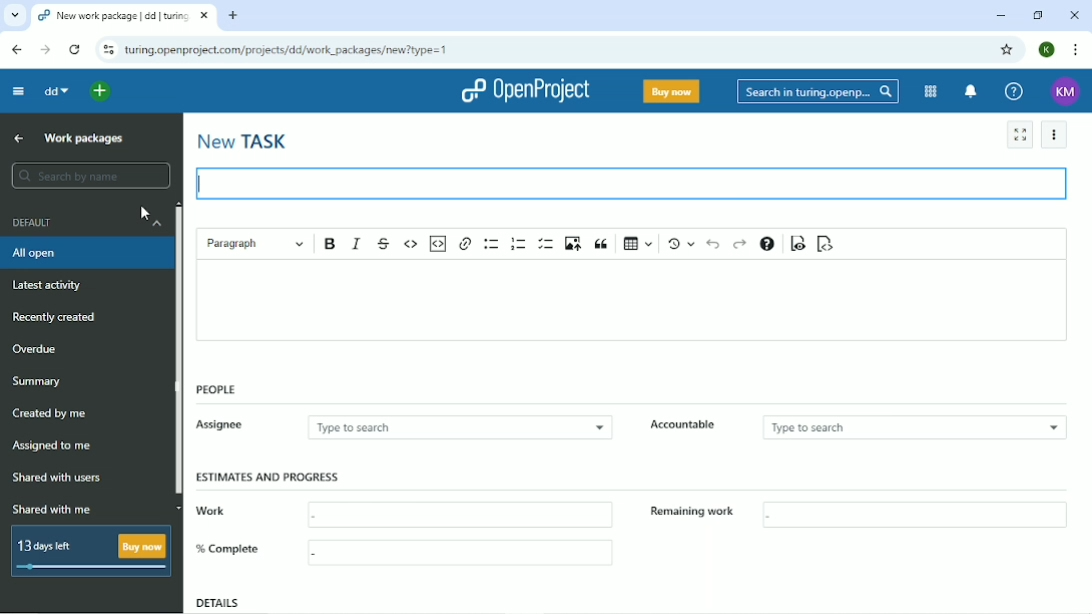 Image resolution: width=1092 pixels, height=614 pixels. Describe the element at coordinates (52, 446) in the screenshot. I see `Assigned to me` at that location.